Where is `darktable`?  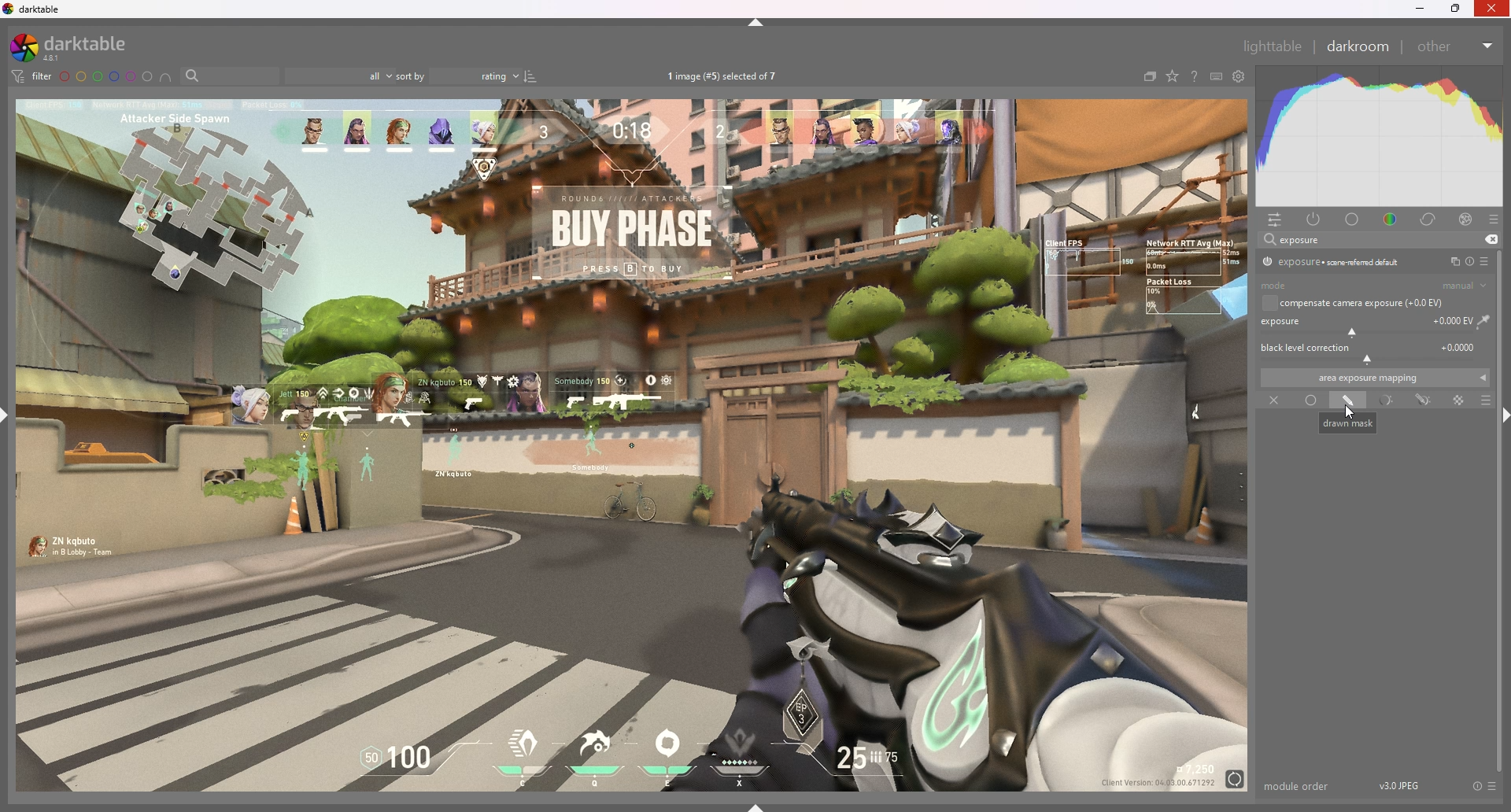
darktable is located at coordinates (79, 47).